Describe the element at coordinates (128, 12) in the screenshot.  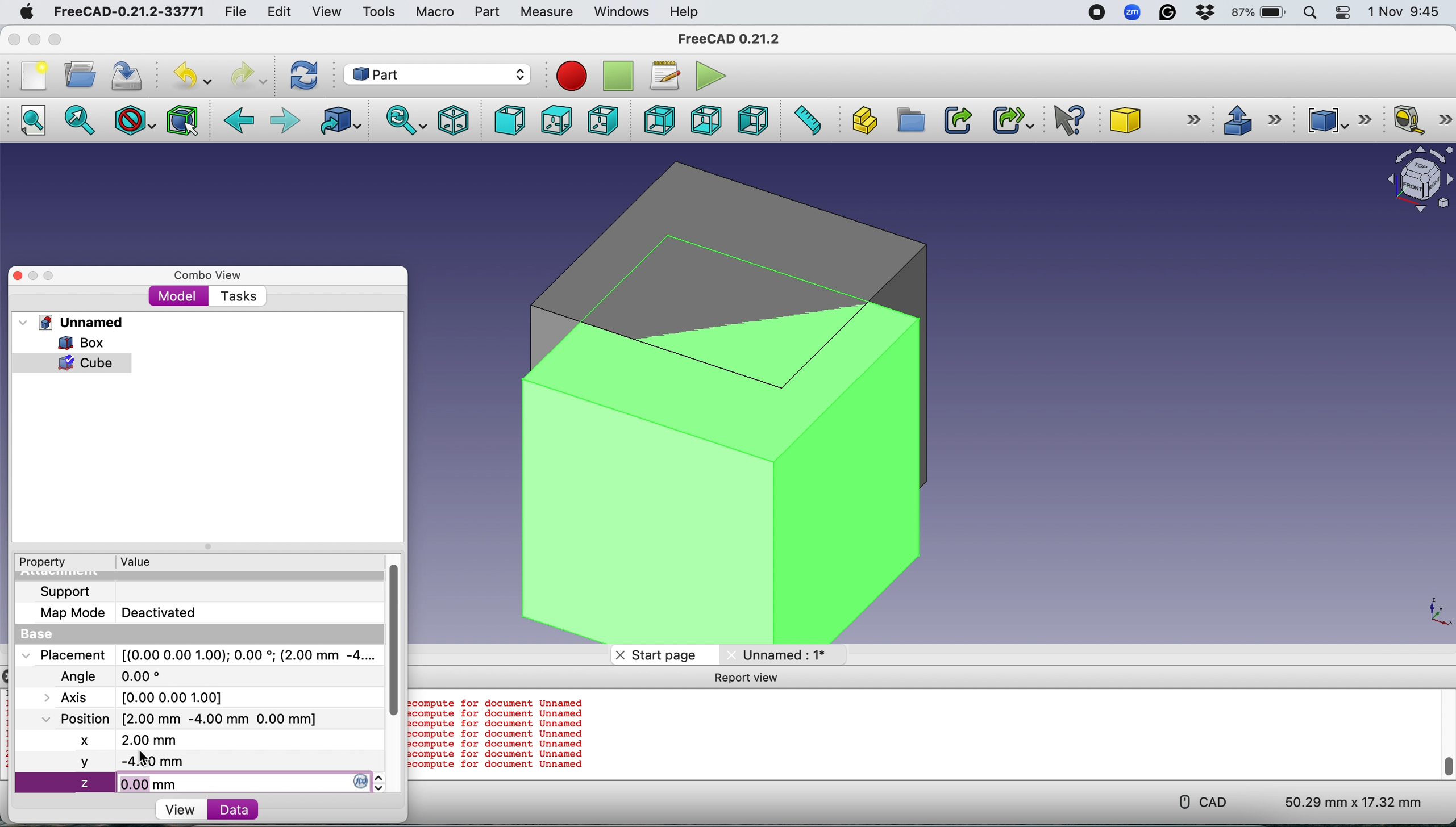
I see `FreeCAD-0.21.2-33771` at that location.